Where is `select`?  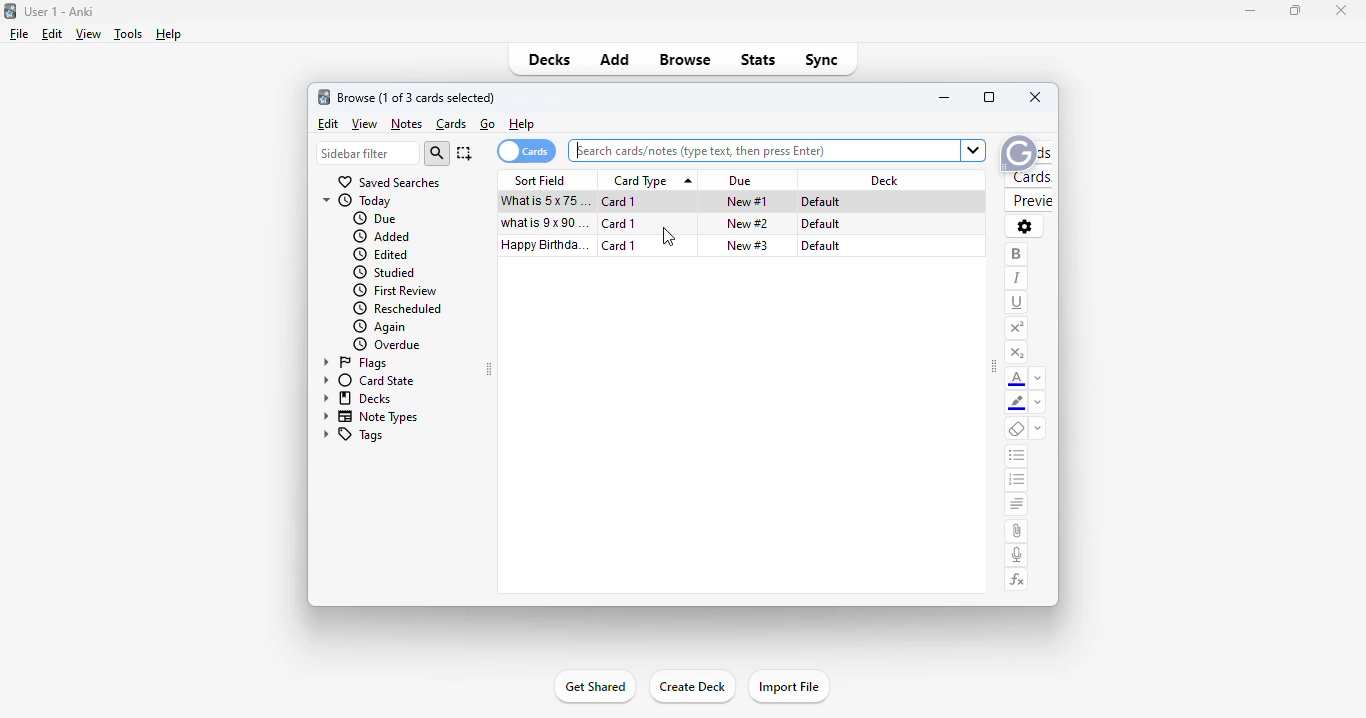
select is located at coordinates (464, 153).